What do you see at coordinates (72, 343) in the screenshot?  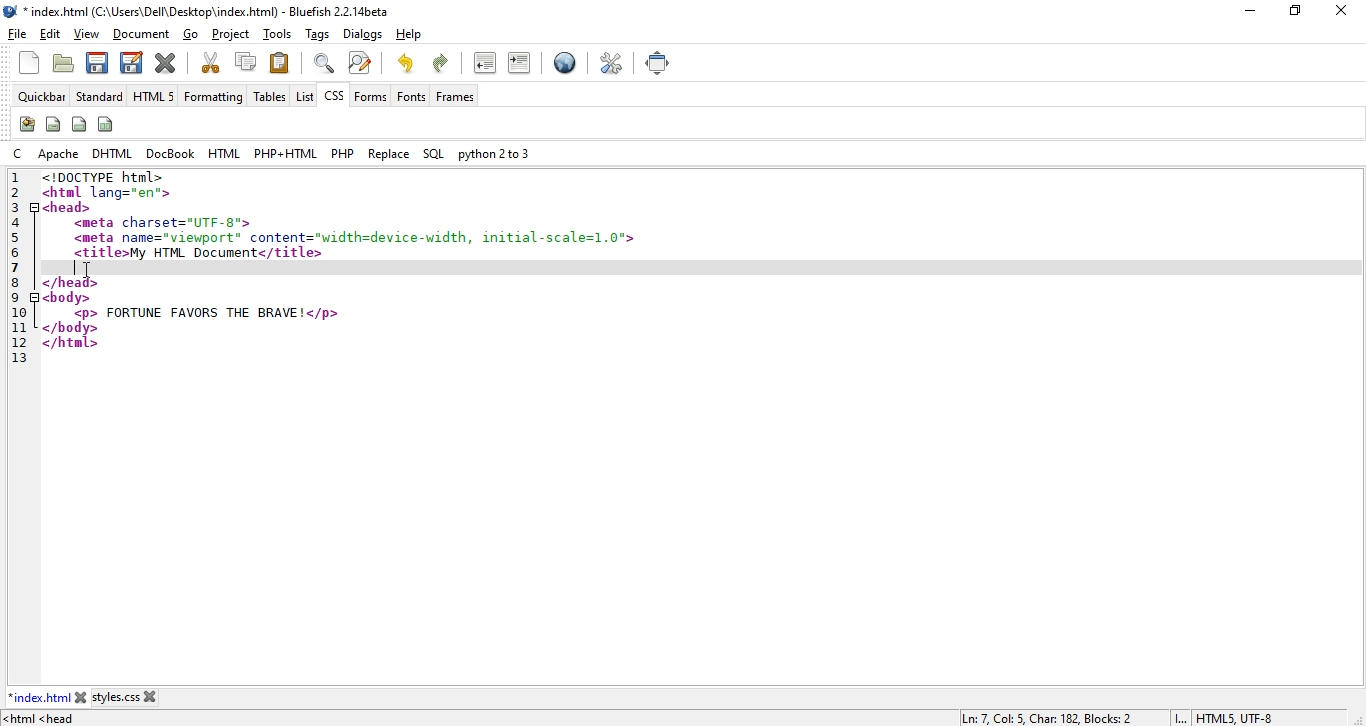 I see `</html>` at bounding box center [72, 343].